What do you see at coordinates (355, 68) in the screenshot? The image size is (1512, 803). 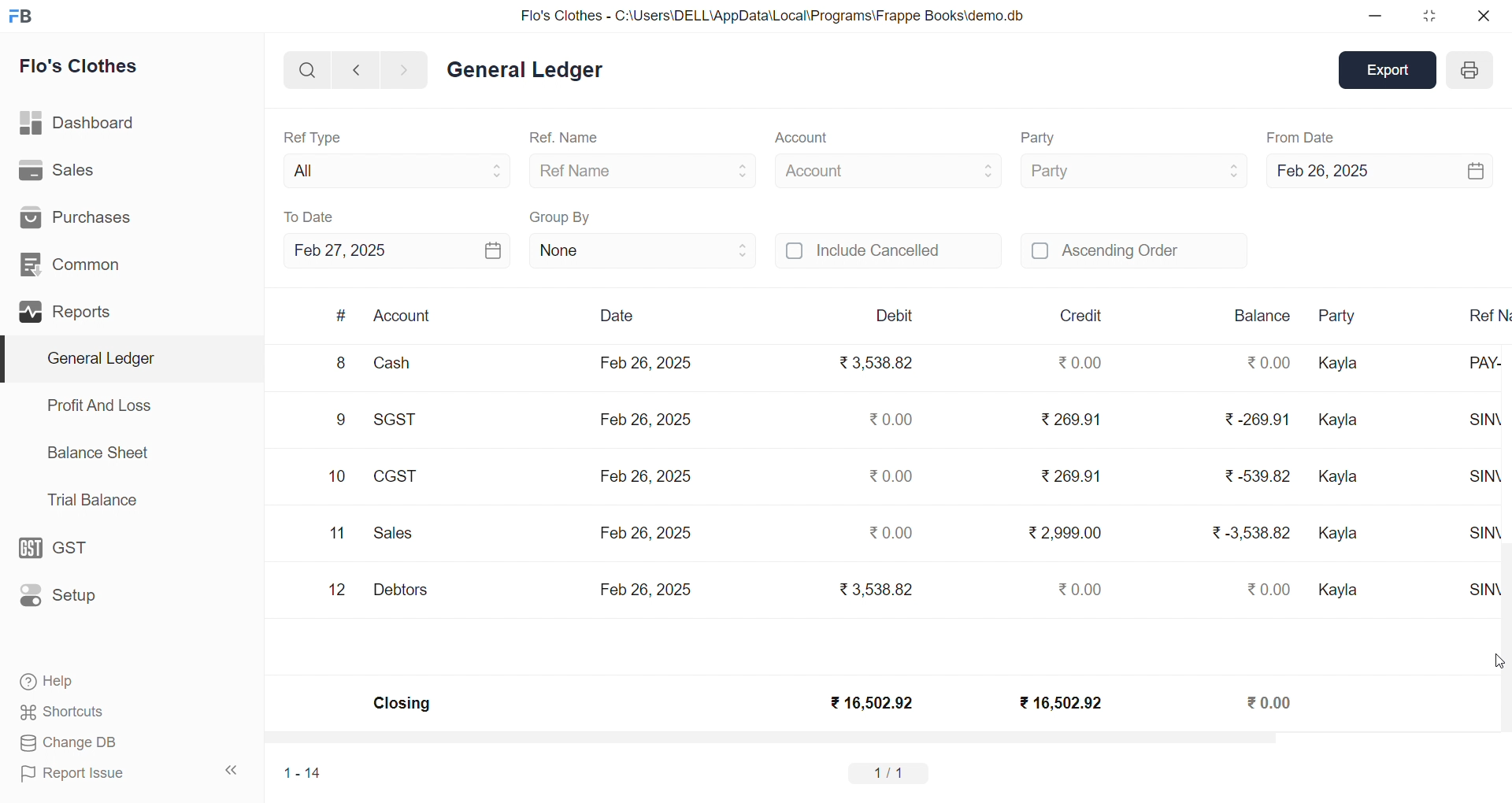 I see `NAVIGATE BACKWARD` at bounding box center [355, 68].